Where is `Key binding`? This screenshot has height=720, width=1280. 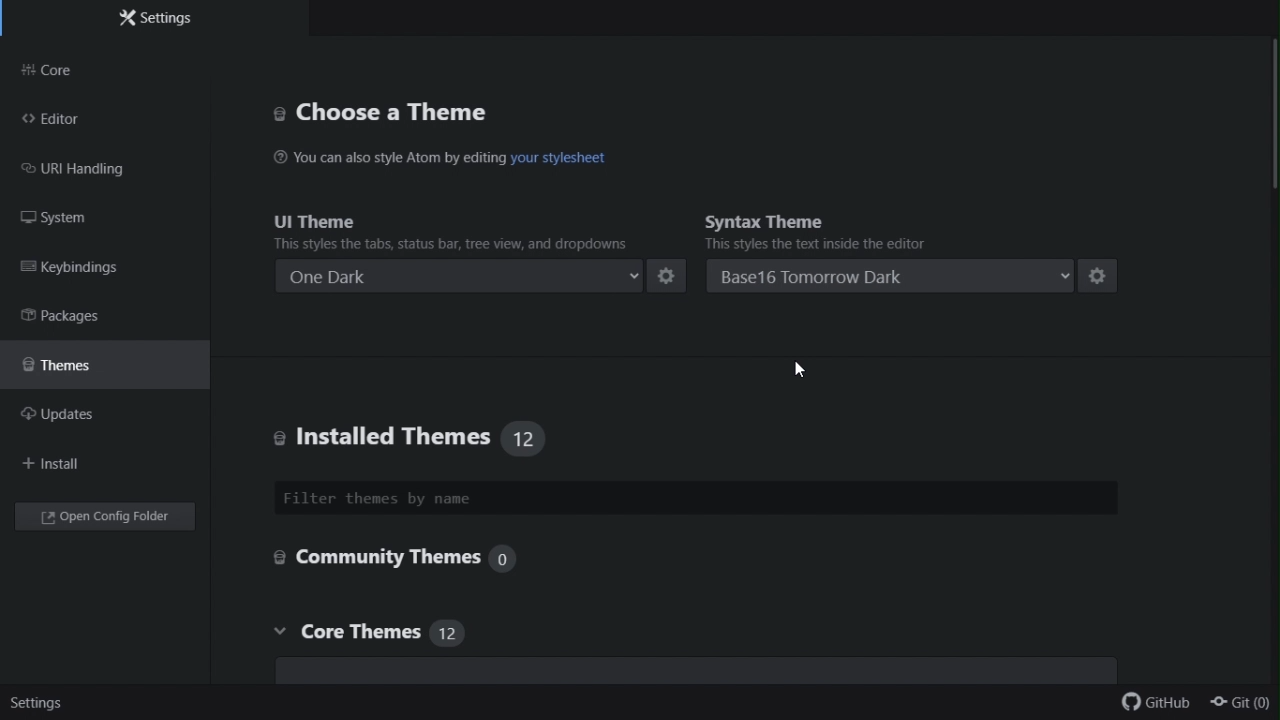 Key binding is located at coordinates (87, 269).